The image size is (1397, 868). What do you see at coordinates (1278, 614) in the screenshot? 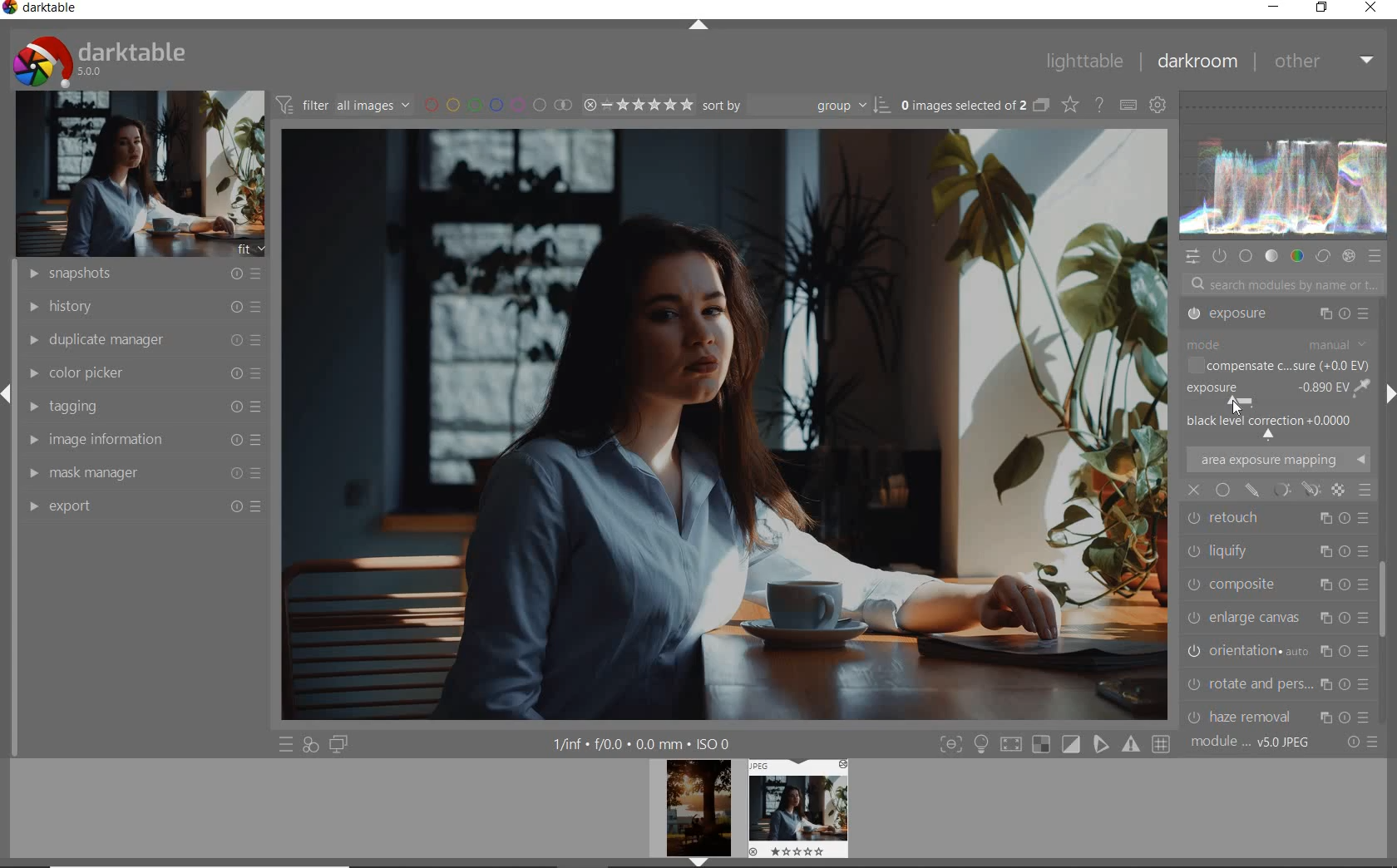
I see `HAZE REMOVAL` at bounding box center [1278, 614].